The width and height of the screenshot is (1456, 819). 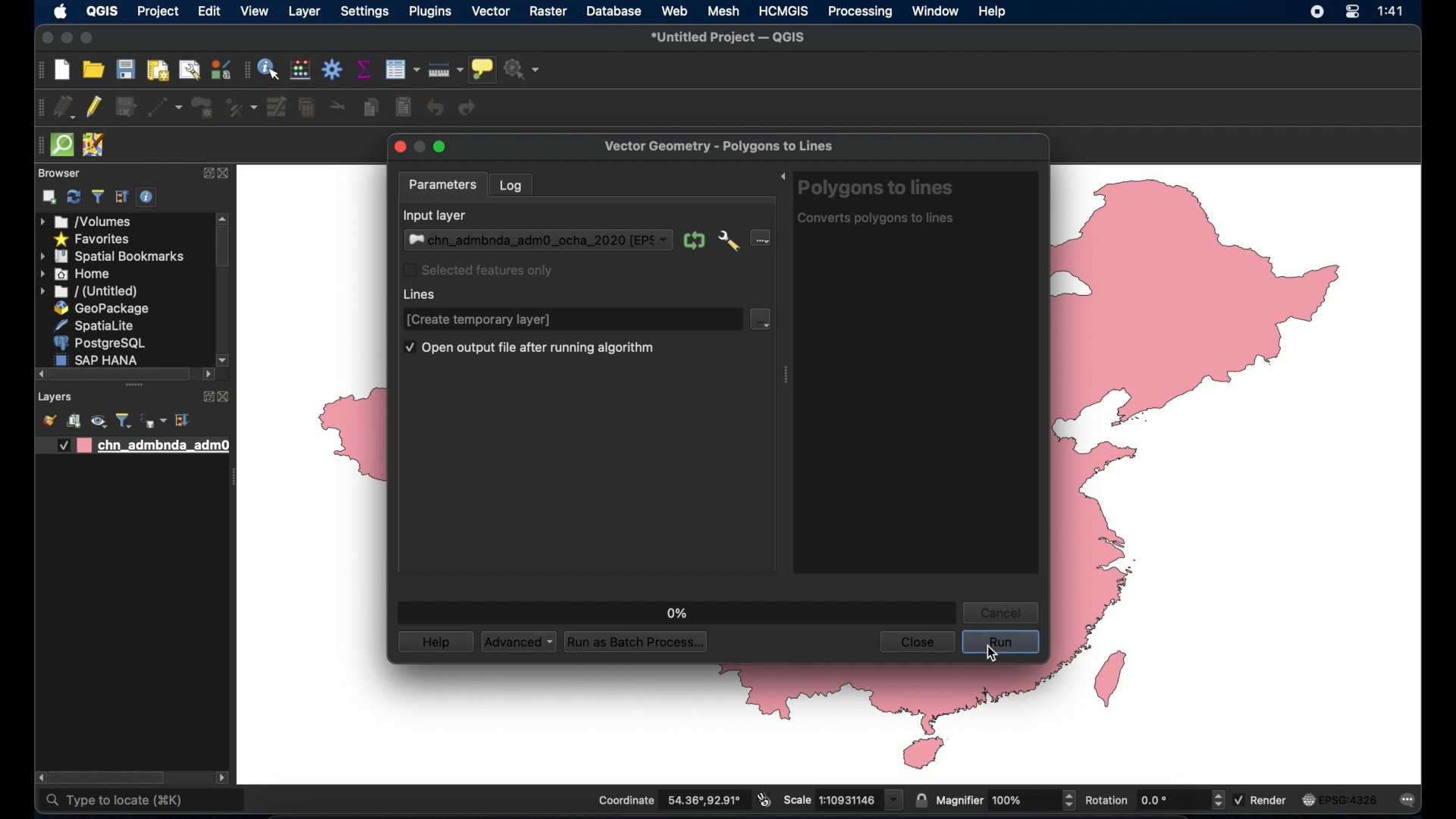 I want to click on minimize, so click(x=68, y=39).